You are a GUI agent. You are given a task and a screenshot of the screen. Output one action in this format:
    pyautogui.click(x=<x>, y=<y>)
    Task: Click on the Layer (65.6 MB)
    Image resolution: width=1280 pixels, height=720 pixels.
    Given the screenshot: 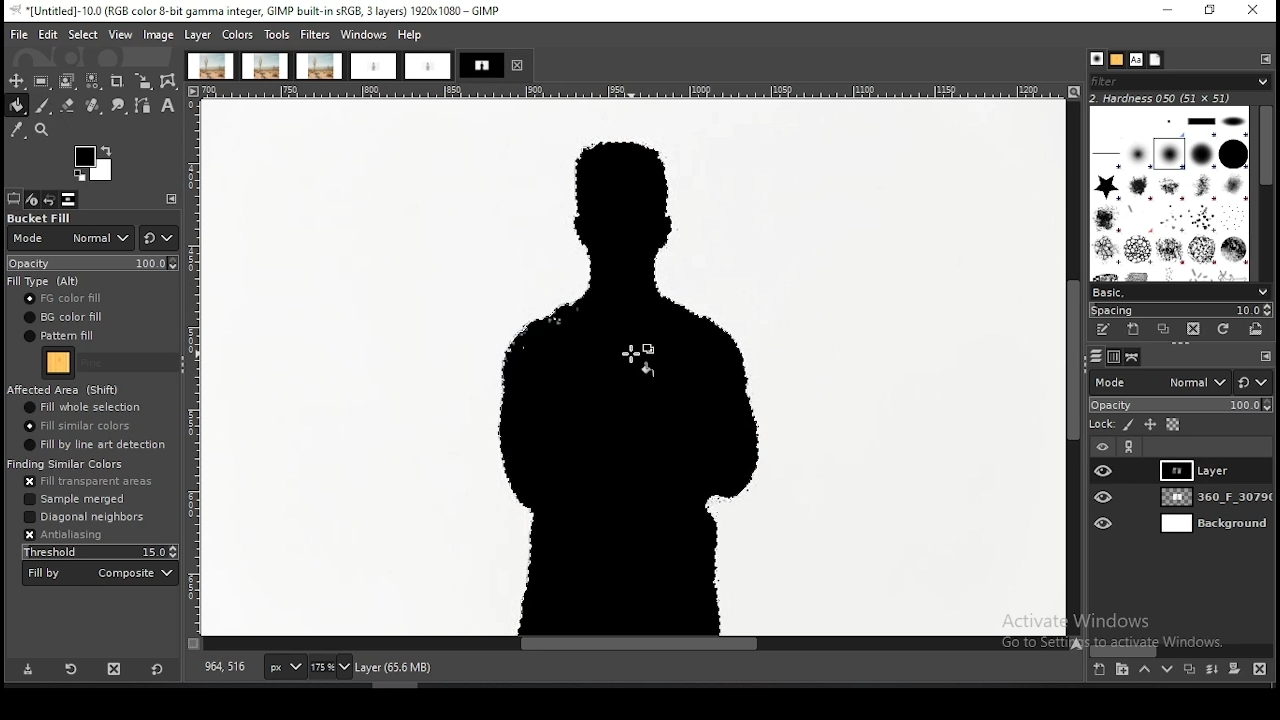 What is the action you would take?
    pyautogui.click(x=401, y=667)
    